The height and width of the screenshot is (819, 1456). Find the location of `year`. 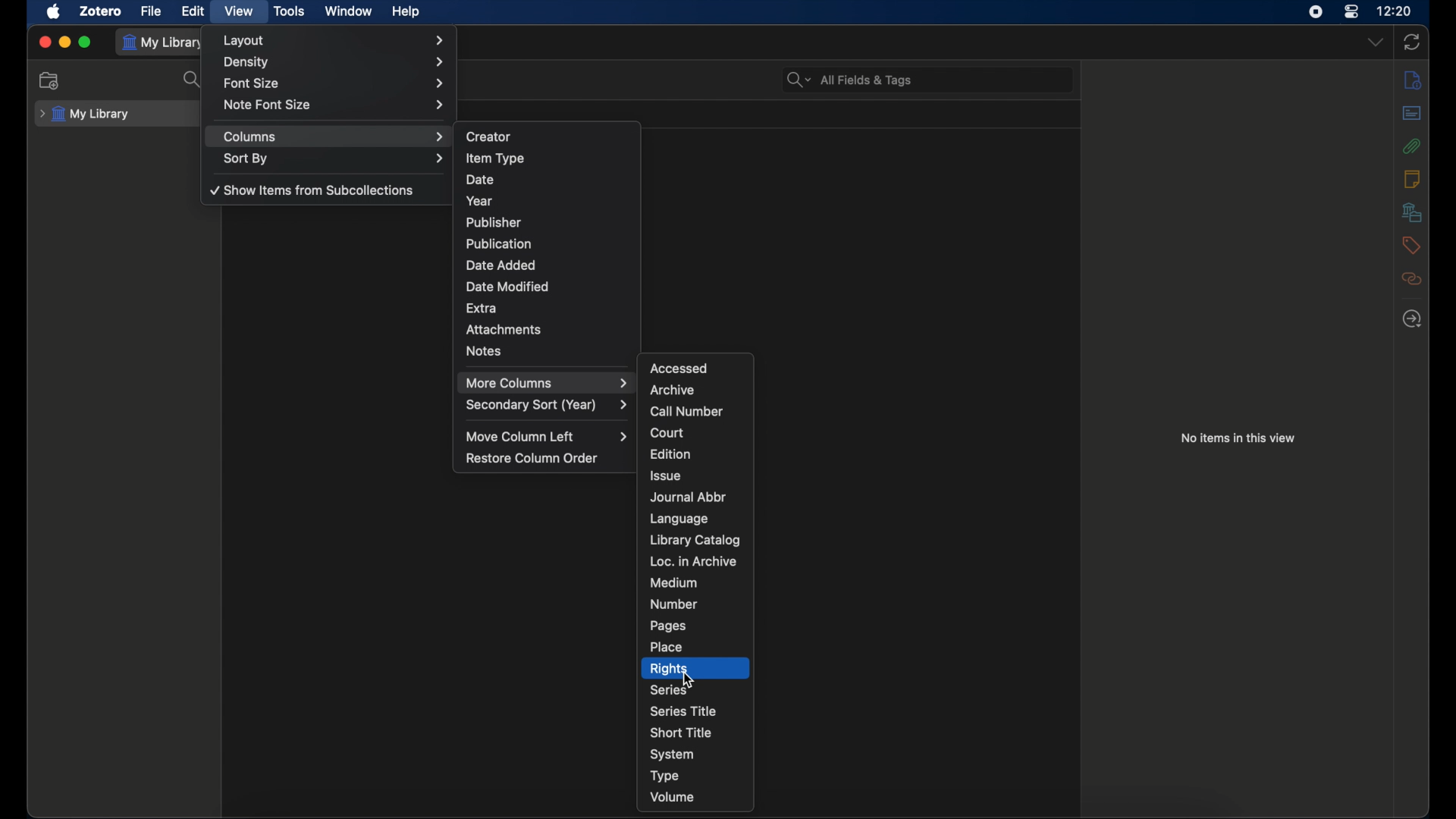

year is located at coordinates (479, 200).